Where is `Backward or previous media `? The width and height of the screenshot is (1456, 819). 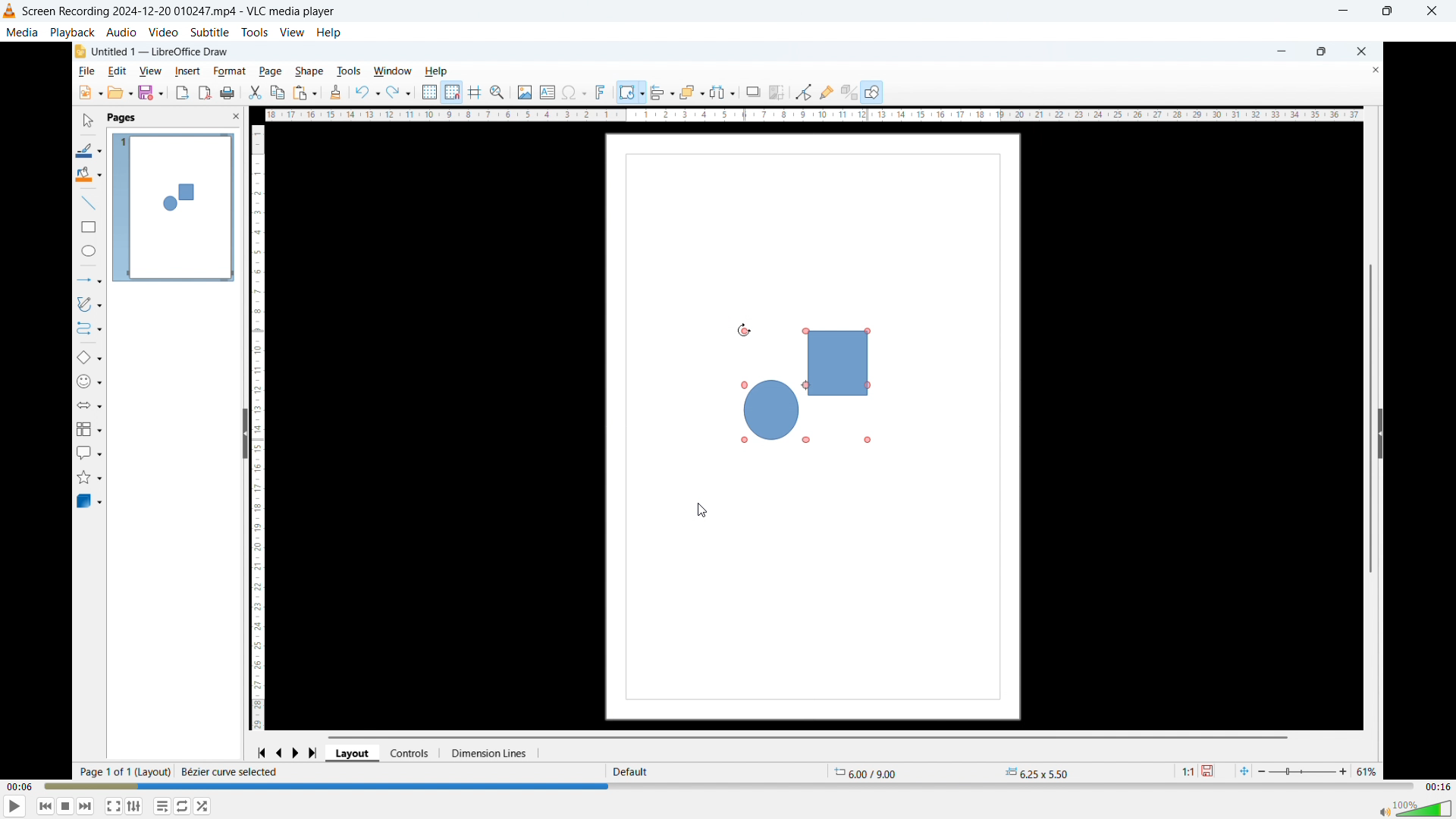
Backward or previous media  is located at coordinates (45, 806).